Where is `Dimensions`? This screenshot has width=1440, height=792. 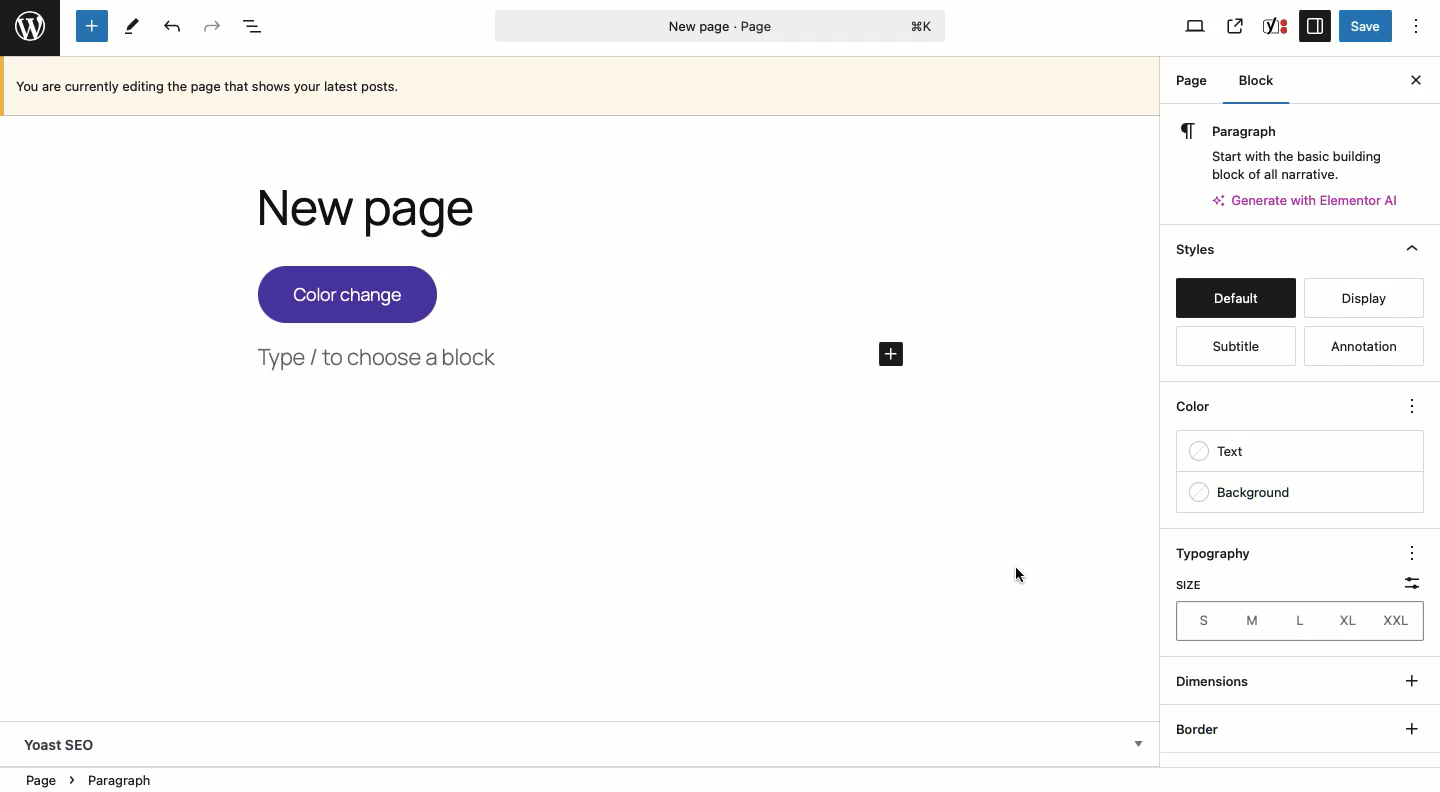 Dimensions is located at coordinates (1224, 681).